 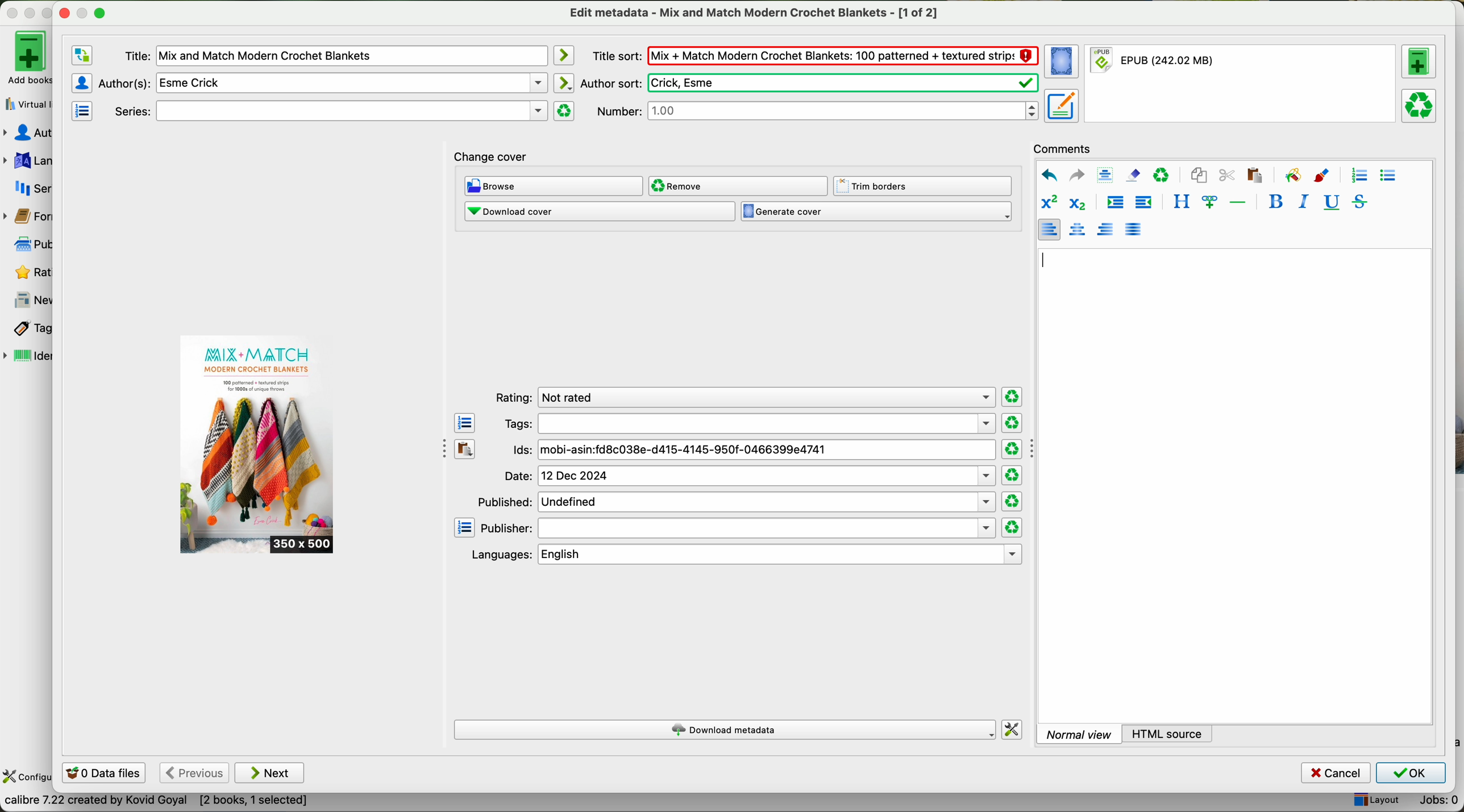 I want to click on three dots, so click(x=439, y=447).